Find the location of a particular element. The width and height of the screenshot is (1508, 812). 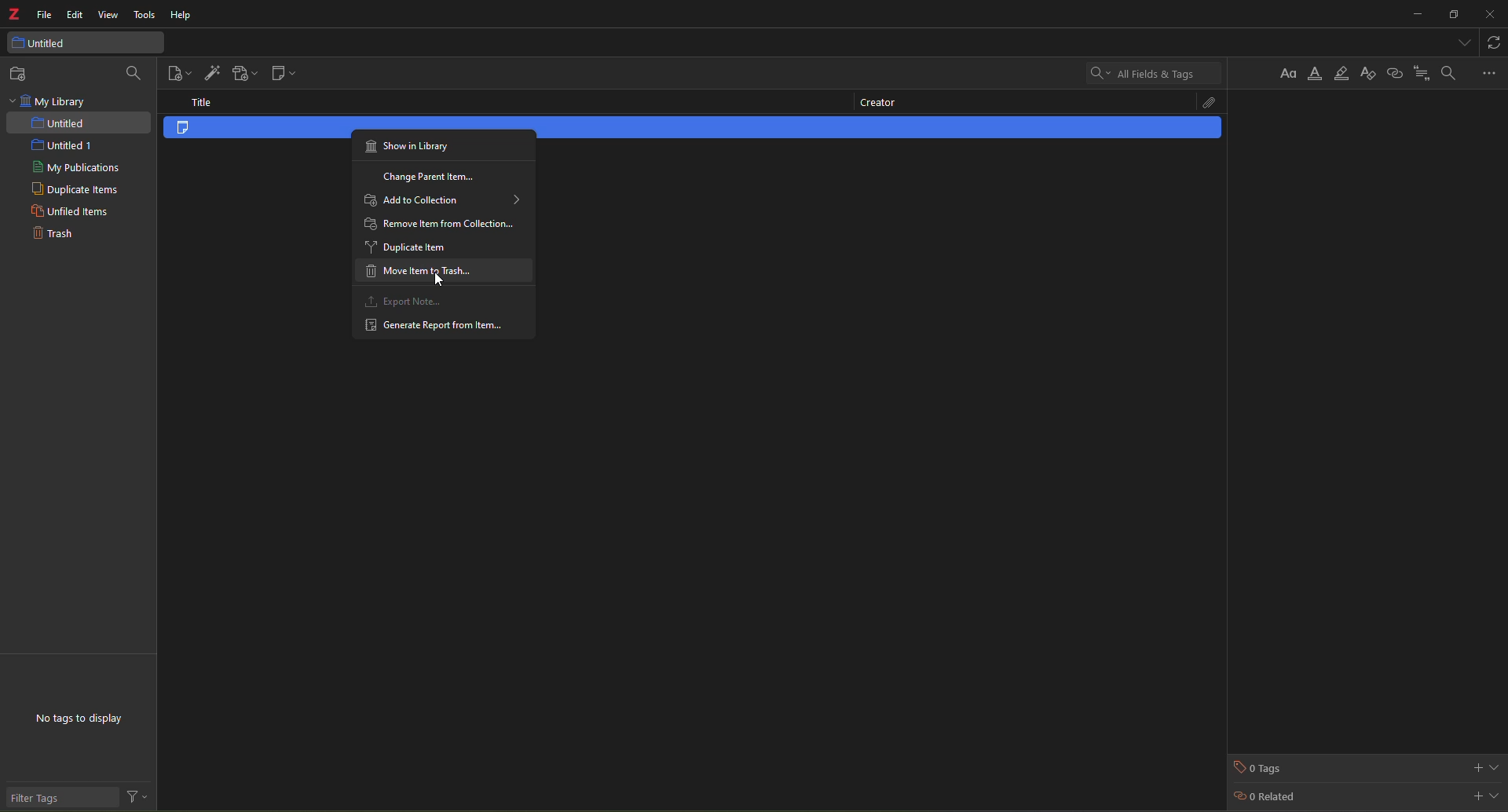

actions is located at coordinates (137, 797).